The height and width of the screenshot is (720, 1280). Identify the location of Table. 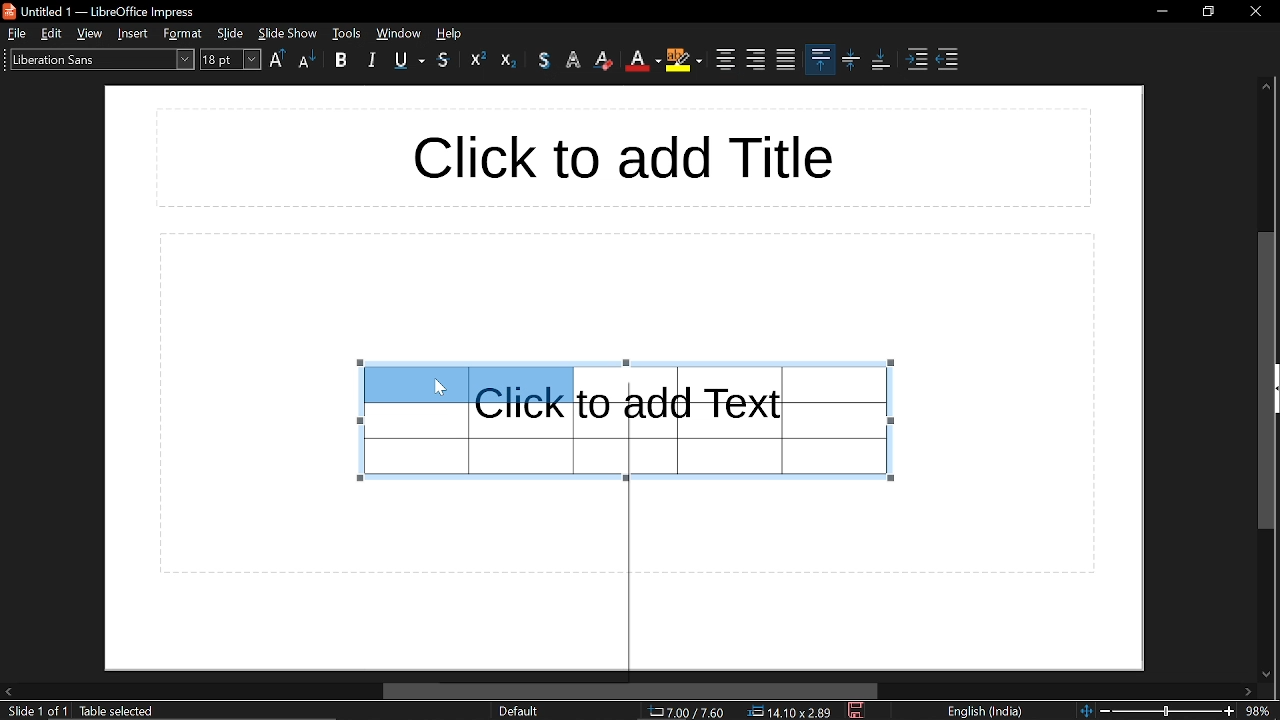
(744, 420).